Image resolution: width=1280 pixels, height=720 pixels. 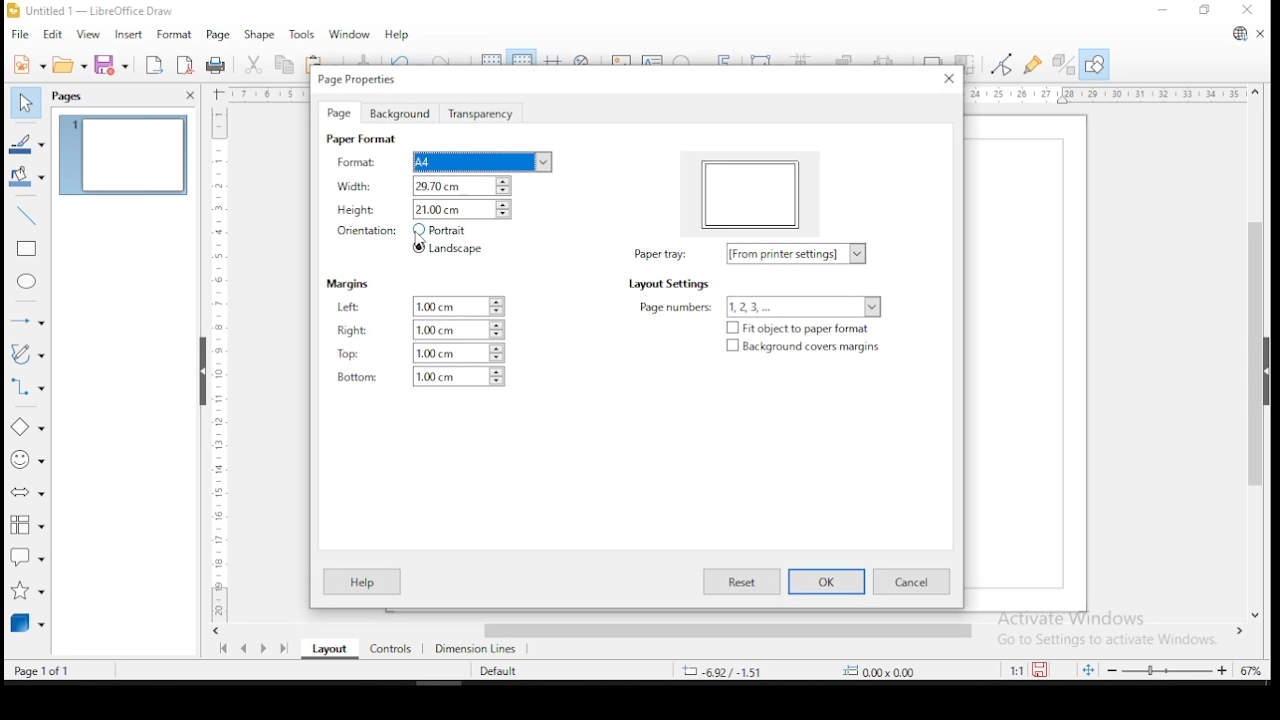 What do you see at coordinates (68, 65) in the screenshot?
I see `open` at bounding box center [68, 65].